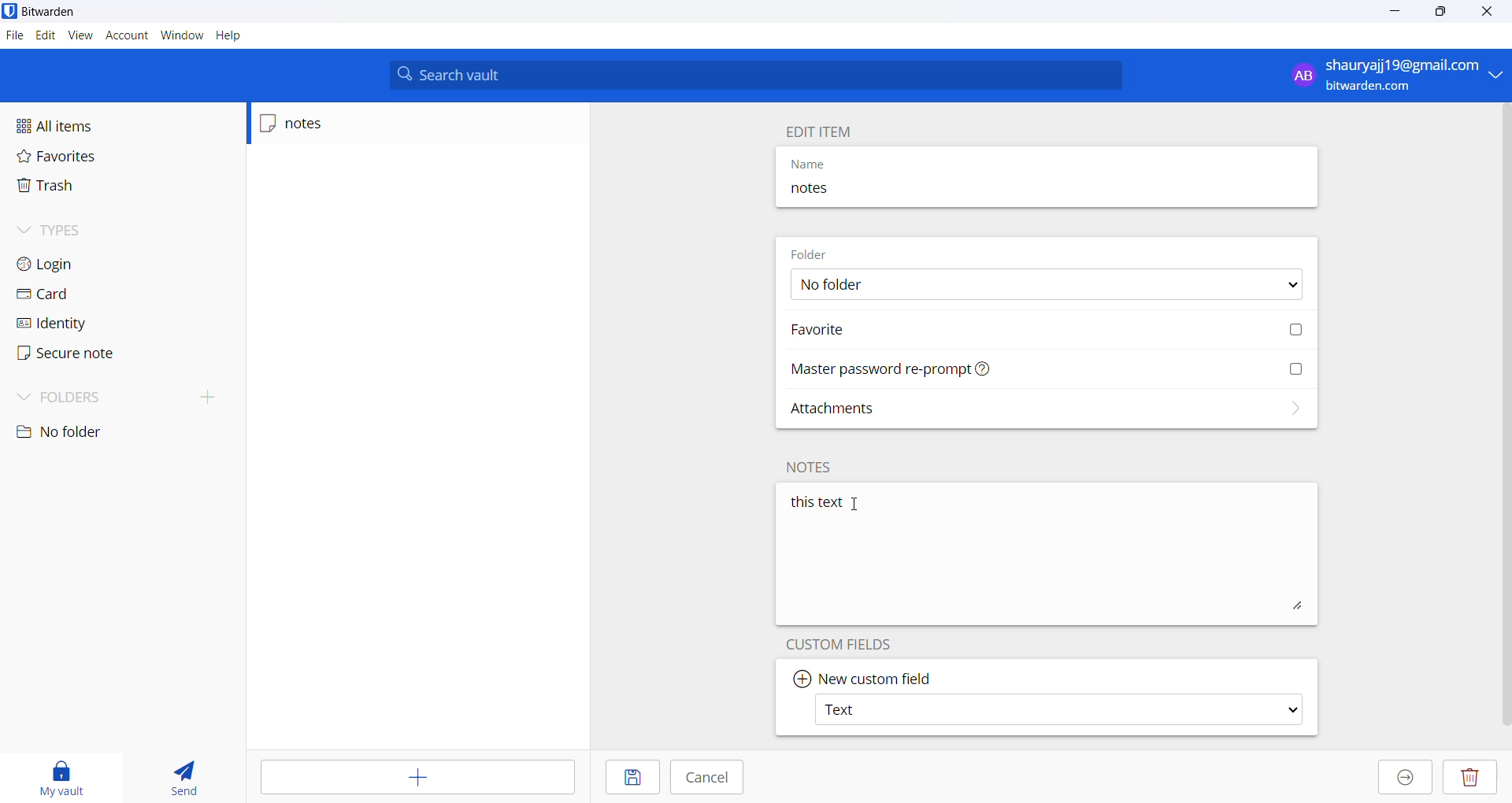 This screenshot has height=803, width=1512. I want to click on account, so click(124, 35).